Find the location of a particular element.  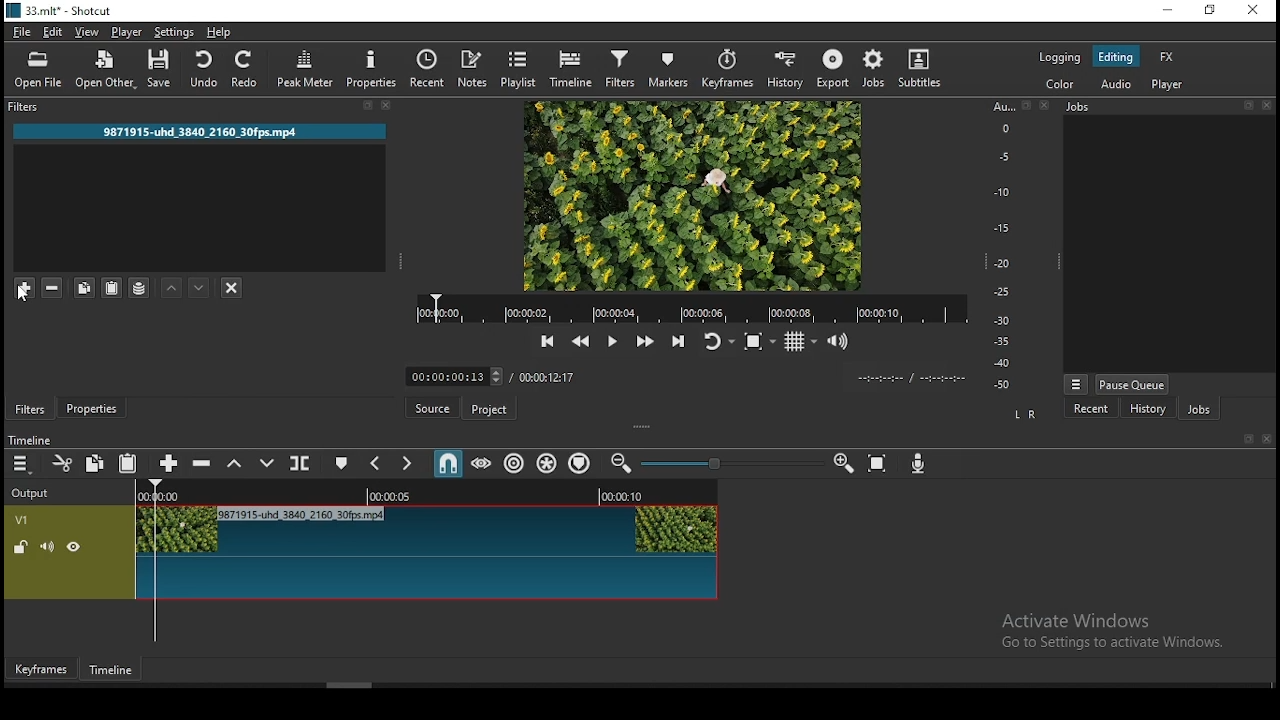

timeline menu is located at coordinates (23, 463).